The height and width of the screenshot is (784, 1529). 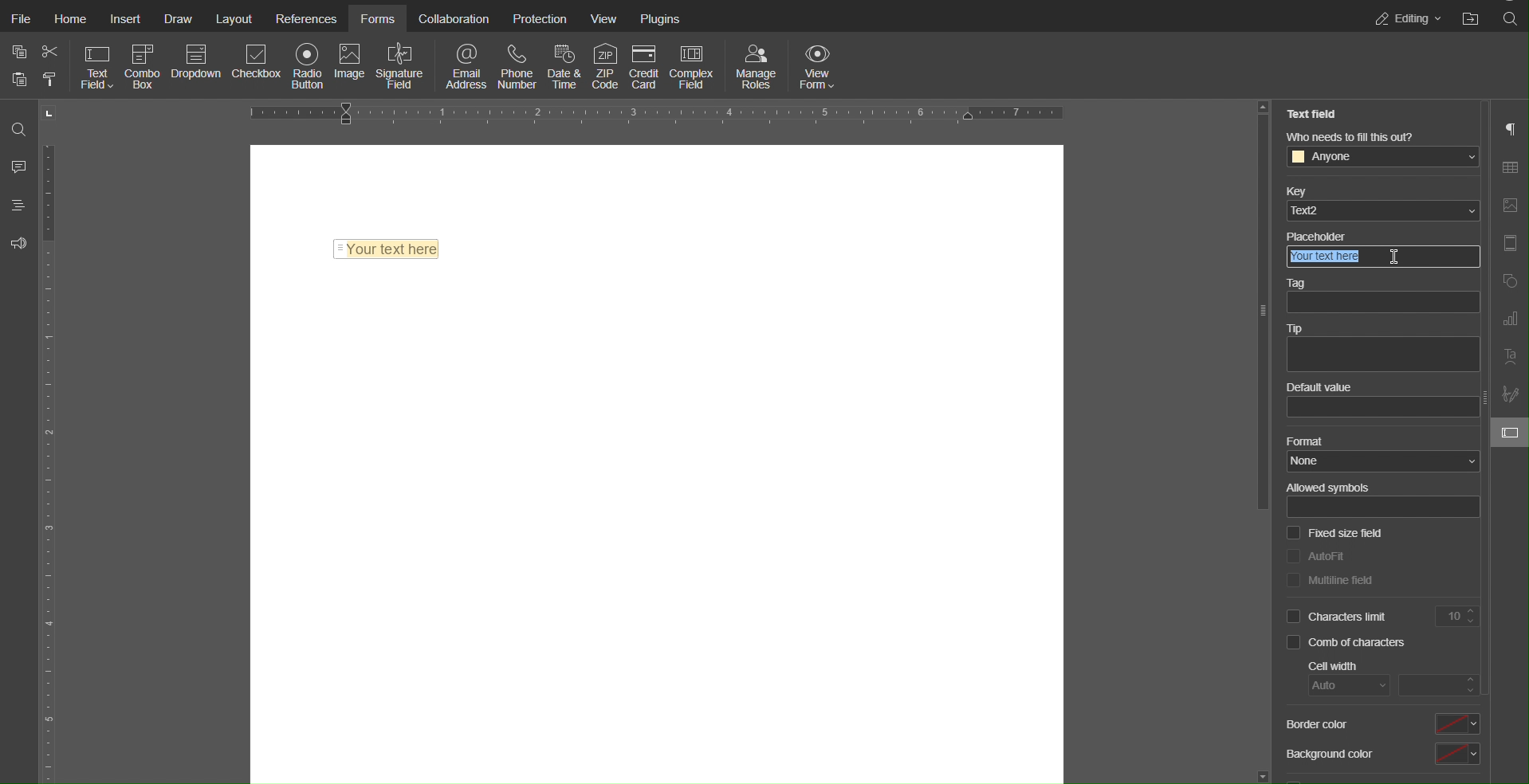 What do you see at coordinates (257, 68) in the screenshot?
I see `Checkbox` at bounding box center [257, 68].